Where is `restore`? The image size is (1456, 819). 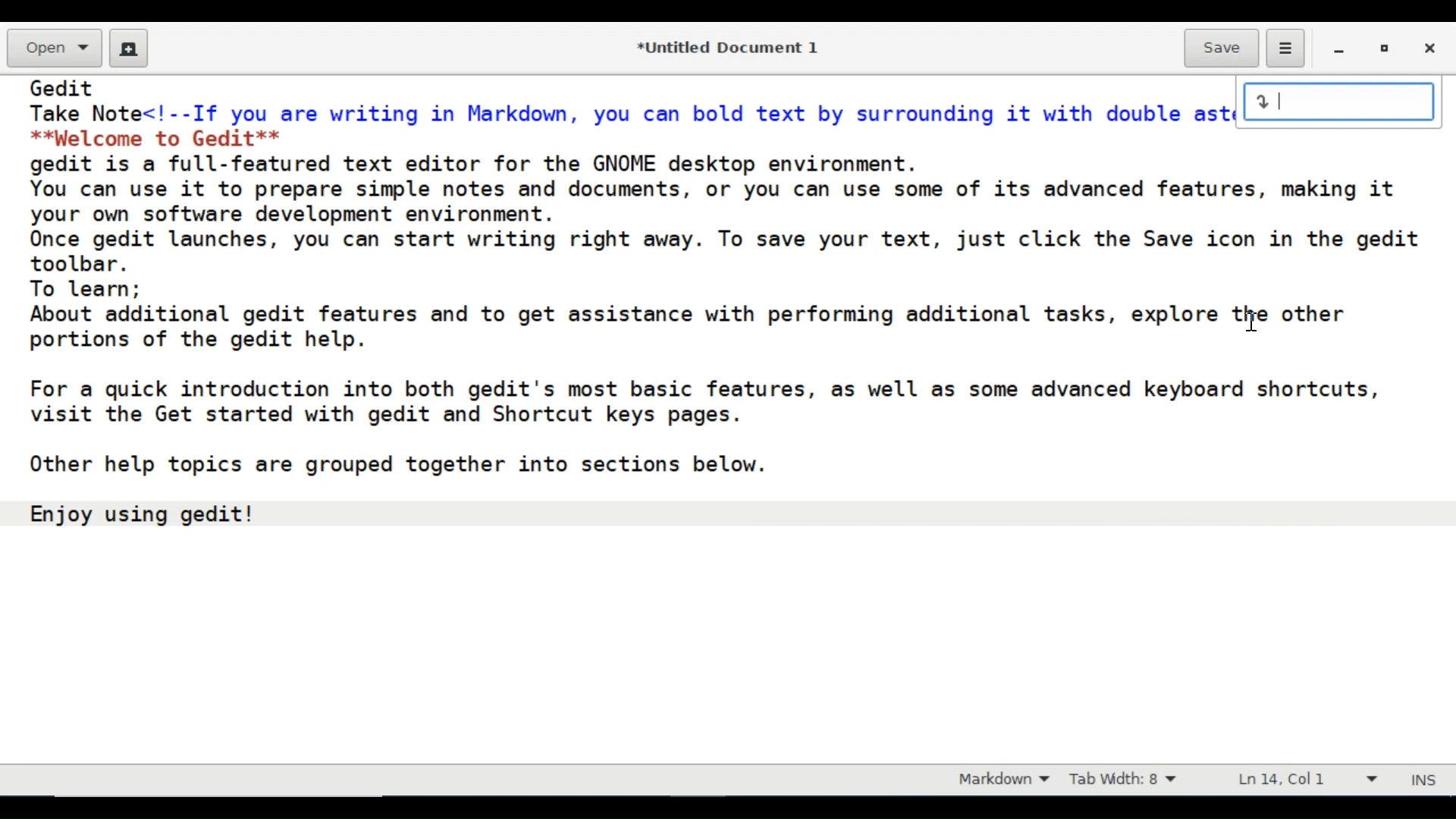 restore is located at coordinates (1386, 51).